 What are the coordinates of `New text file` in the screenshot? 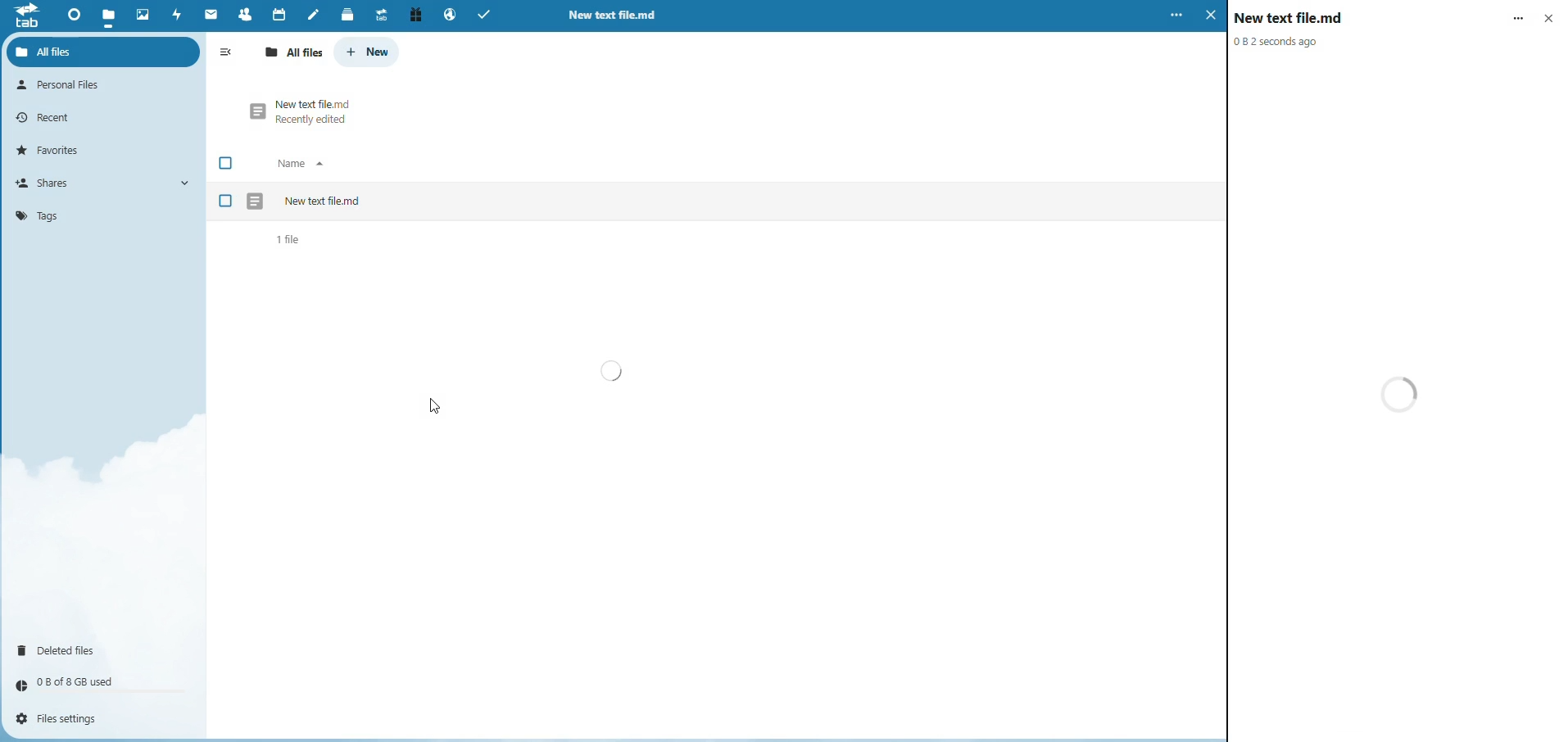 It's located at (616, 16).